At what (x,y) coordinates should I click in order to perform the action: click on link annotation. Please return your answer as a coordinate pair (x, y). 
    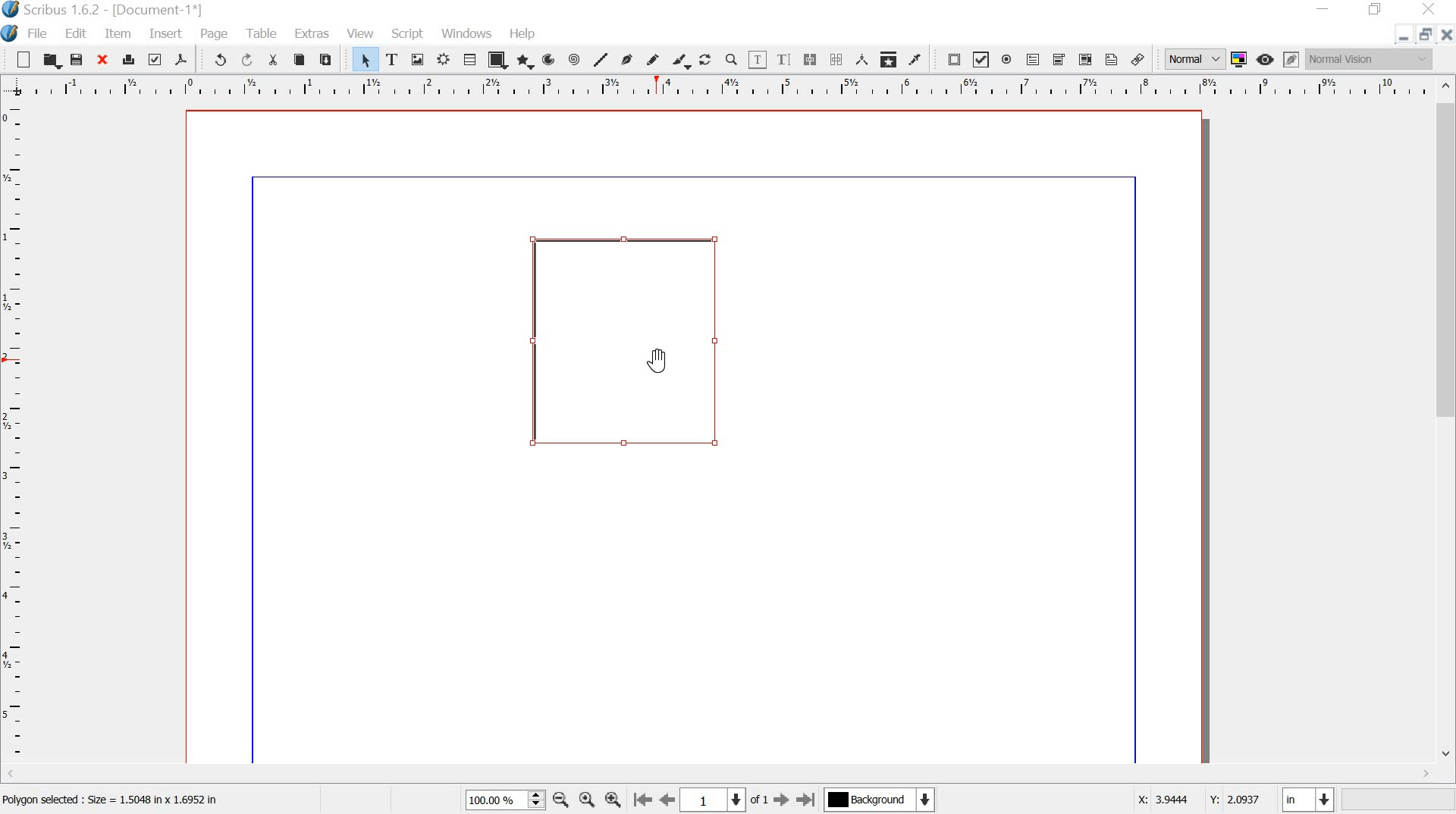
    Looking at the image, I should click on (1137, 60).